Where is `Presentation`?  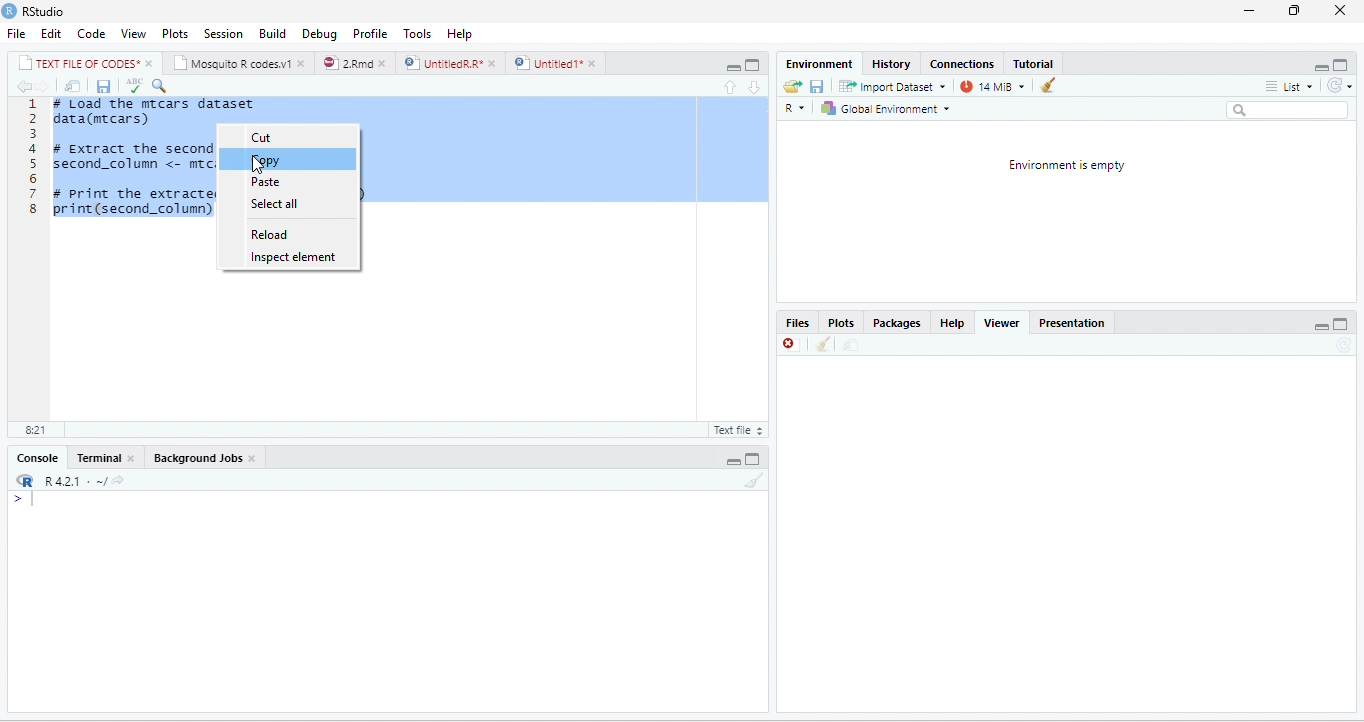 Presentation is located at coordinates (1077, 323).